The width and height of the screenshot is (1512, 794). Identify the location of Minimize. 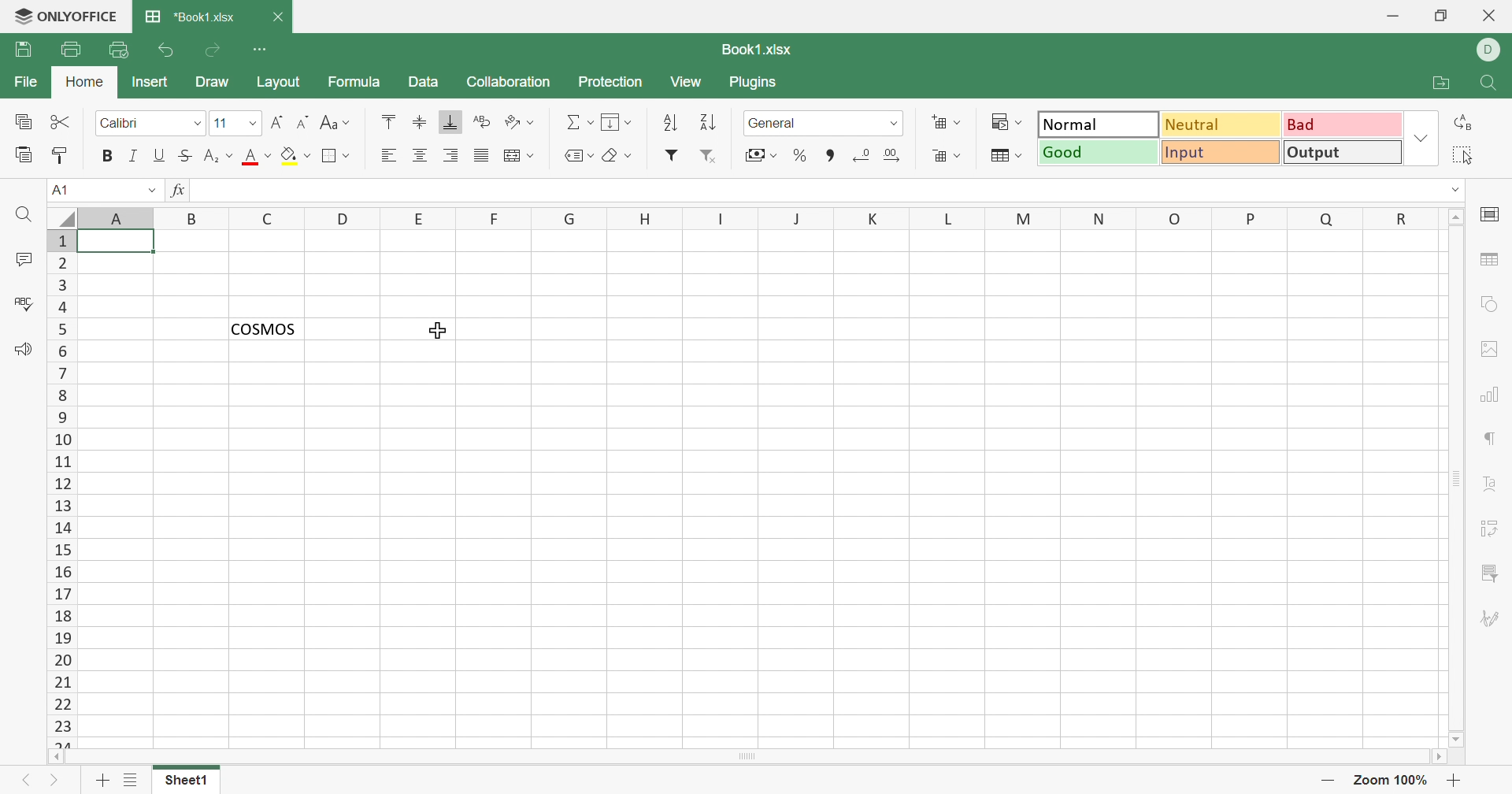
(1392, 17).